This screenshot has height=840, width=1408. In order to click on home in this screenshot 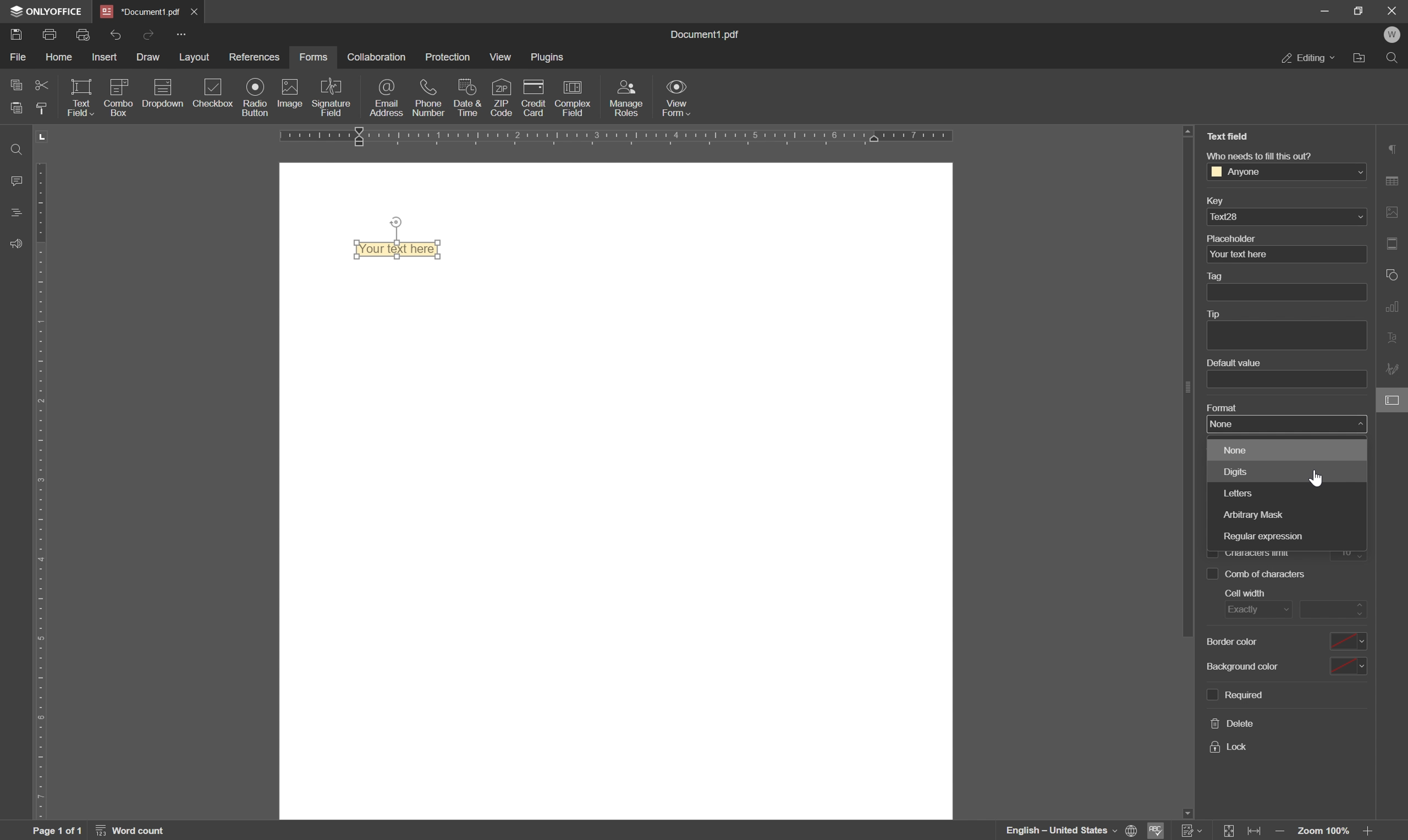, I will do `click(60, 59)`.